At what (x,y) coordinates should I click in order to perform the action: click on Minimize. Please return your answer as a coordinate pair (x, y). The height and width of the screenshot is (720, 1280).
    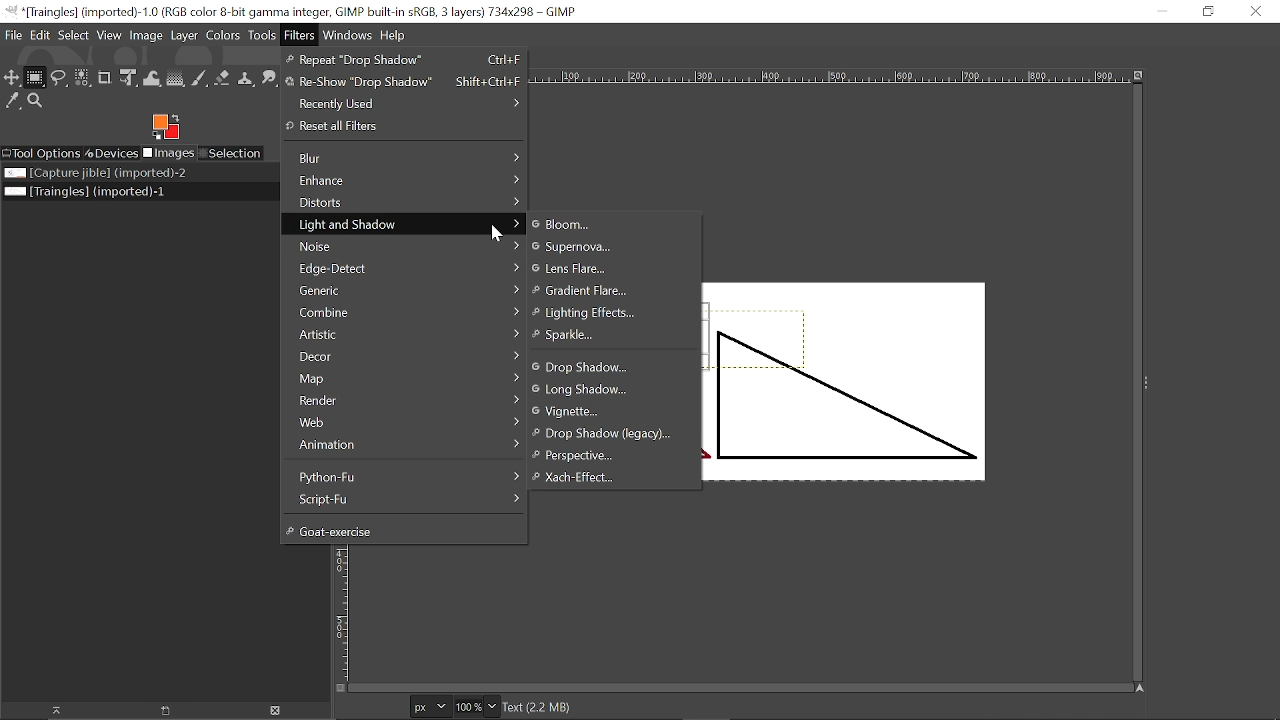
    Looking at the image, I should click on (1157, 11).